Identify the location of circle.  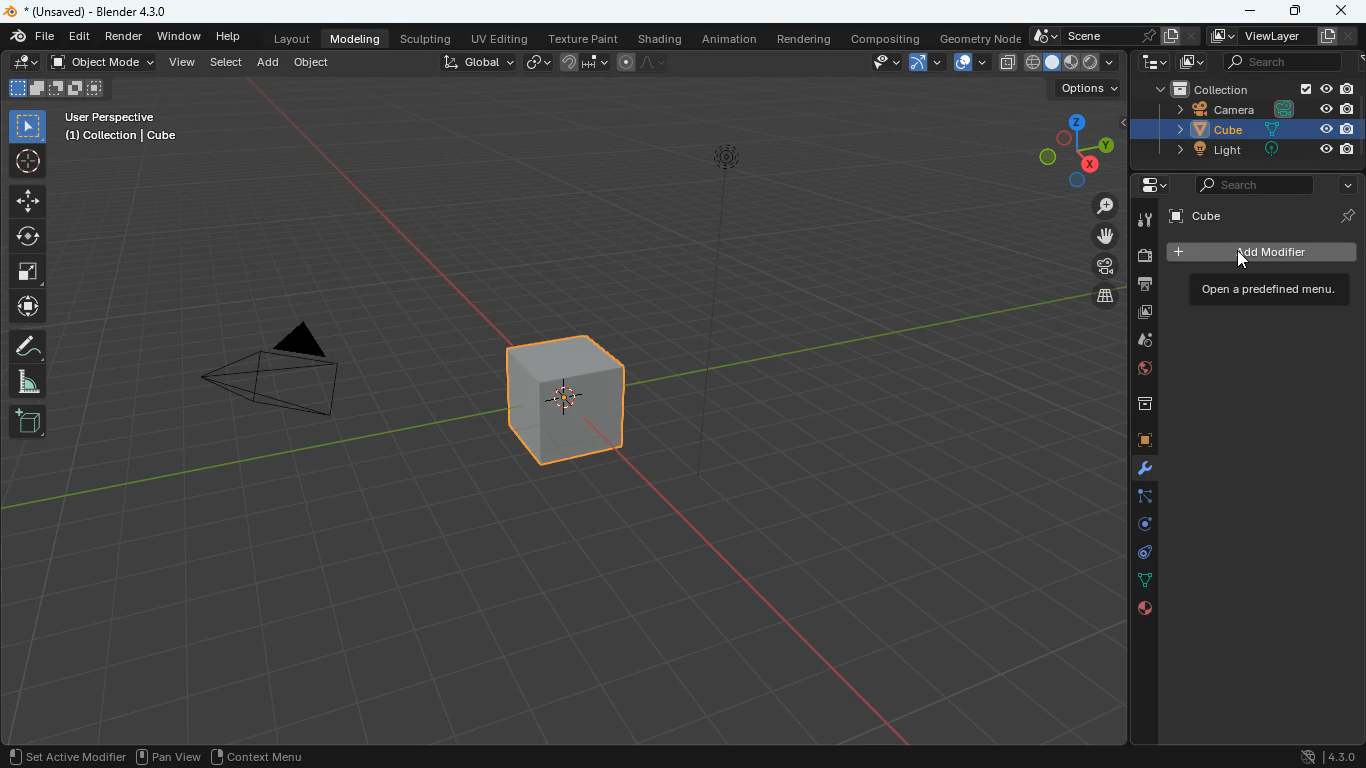
(29, 237).